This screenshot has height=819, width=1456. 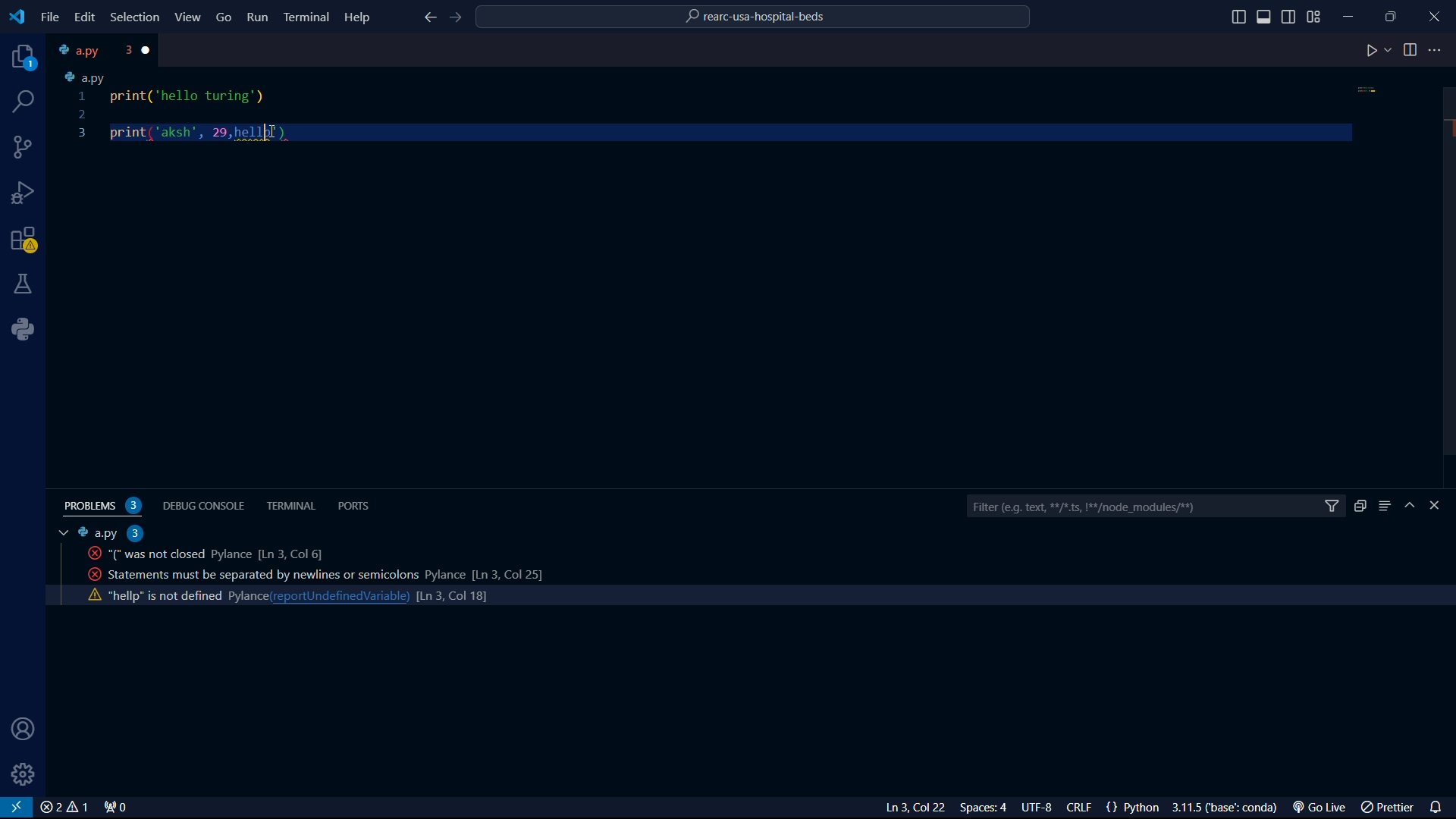 I want to click on toggle sidebar, so click(x=1238, y=17).